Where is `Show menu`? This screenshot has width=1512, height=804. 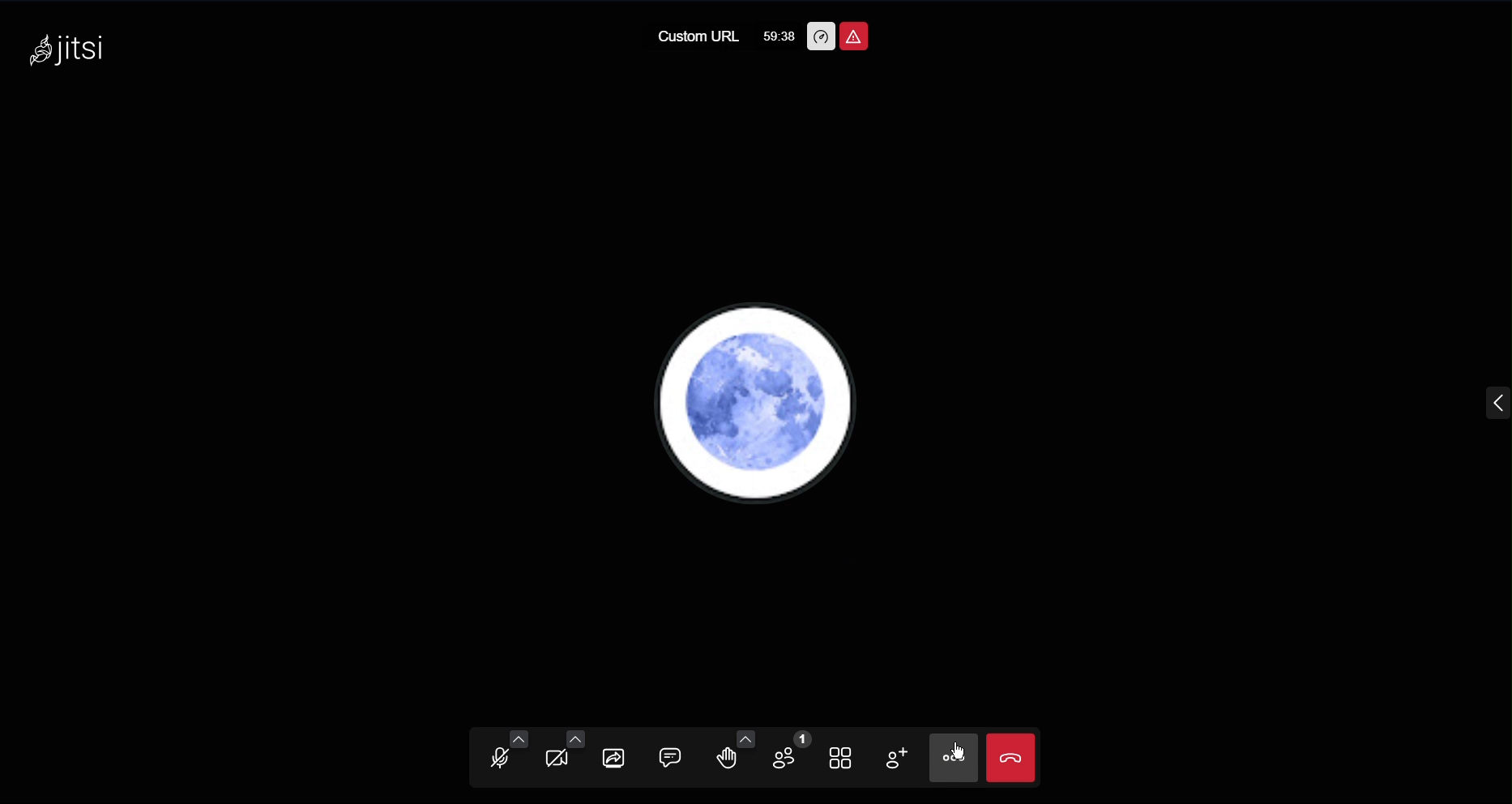
Show menu is located at coordinates (1494, 405).